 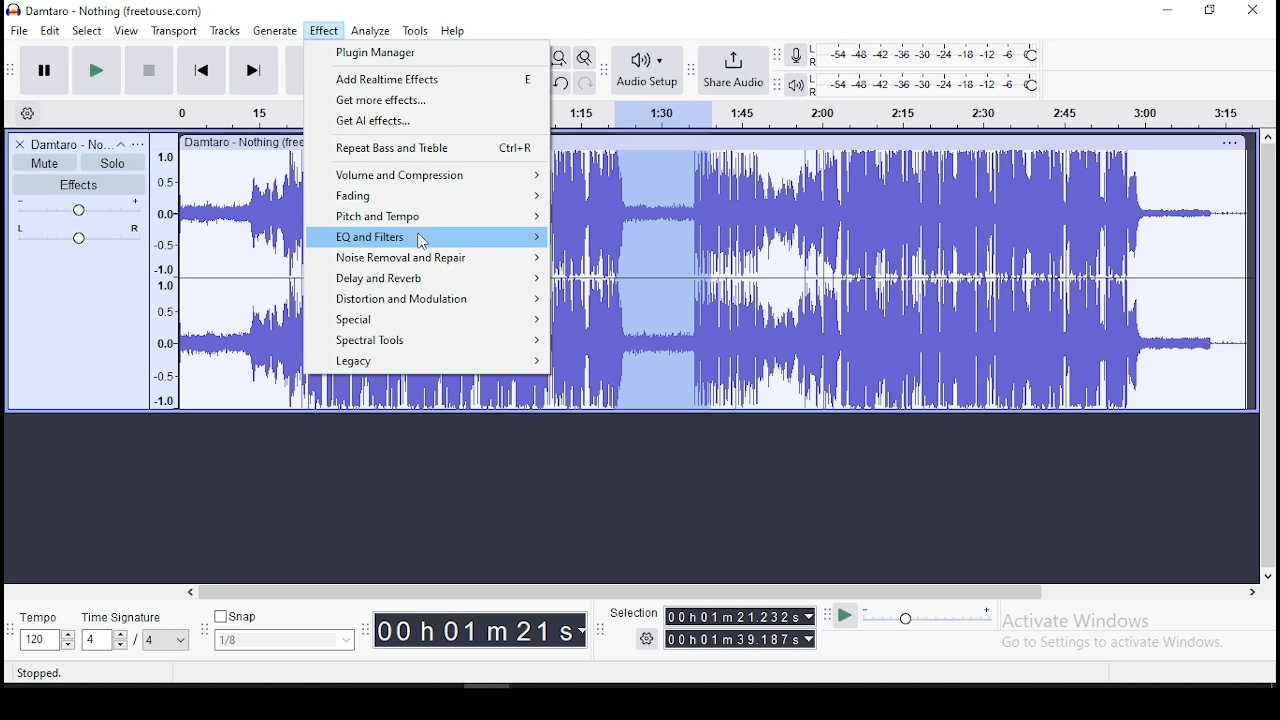 I want to click on up, so click(x=1267, y=136).